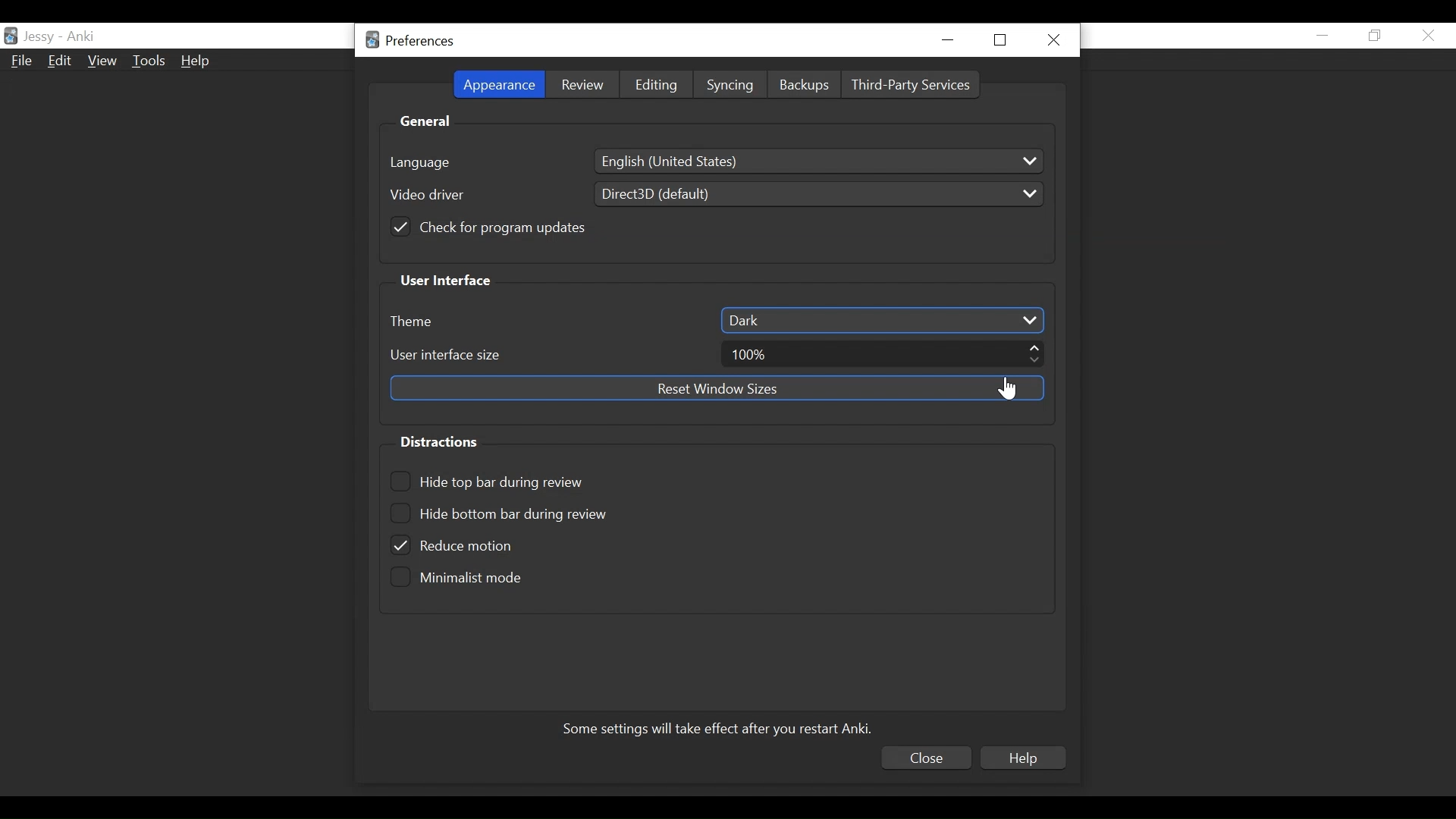  What do you see at coordinates (460, 577) in the screenshot?
I see `(un)select minimalist mode` at bounding box center [460, 577].